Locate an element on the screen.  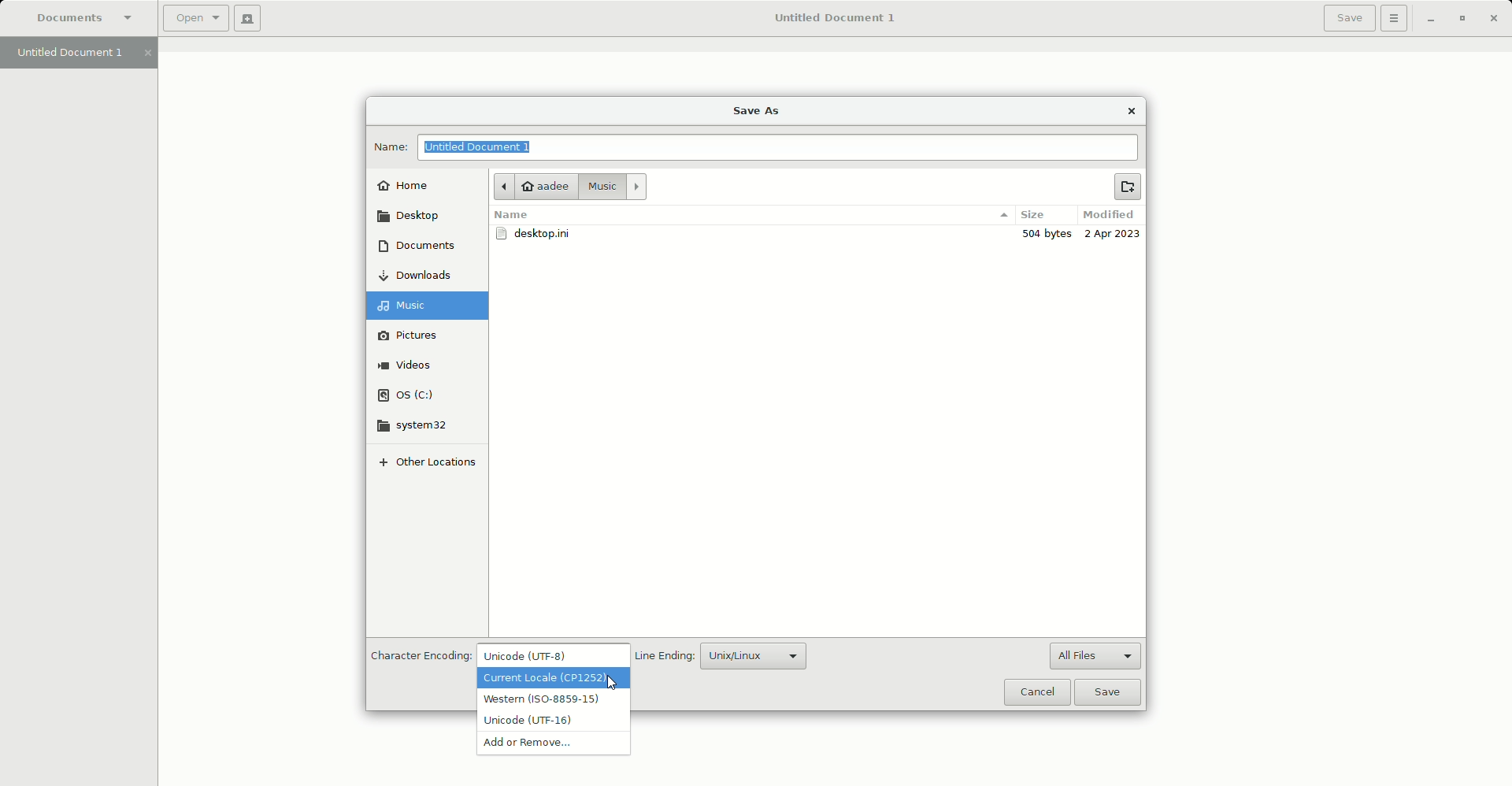
Unicode is located at coordinates (552, 656).